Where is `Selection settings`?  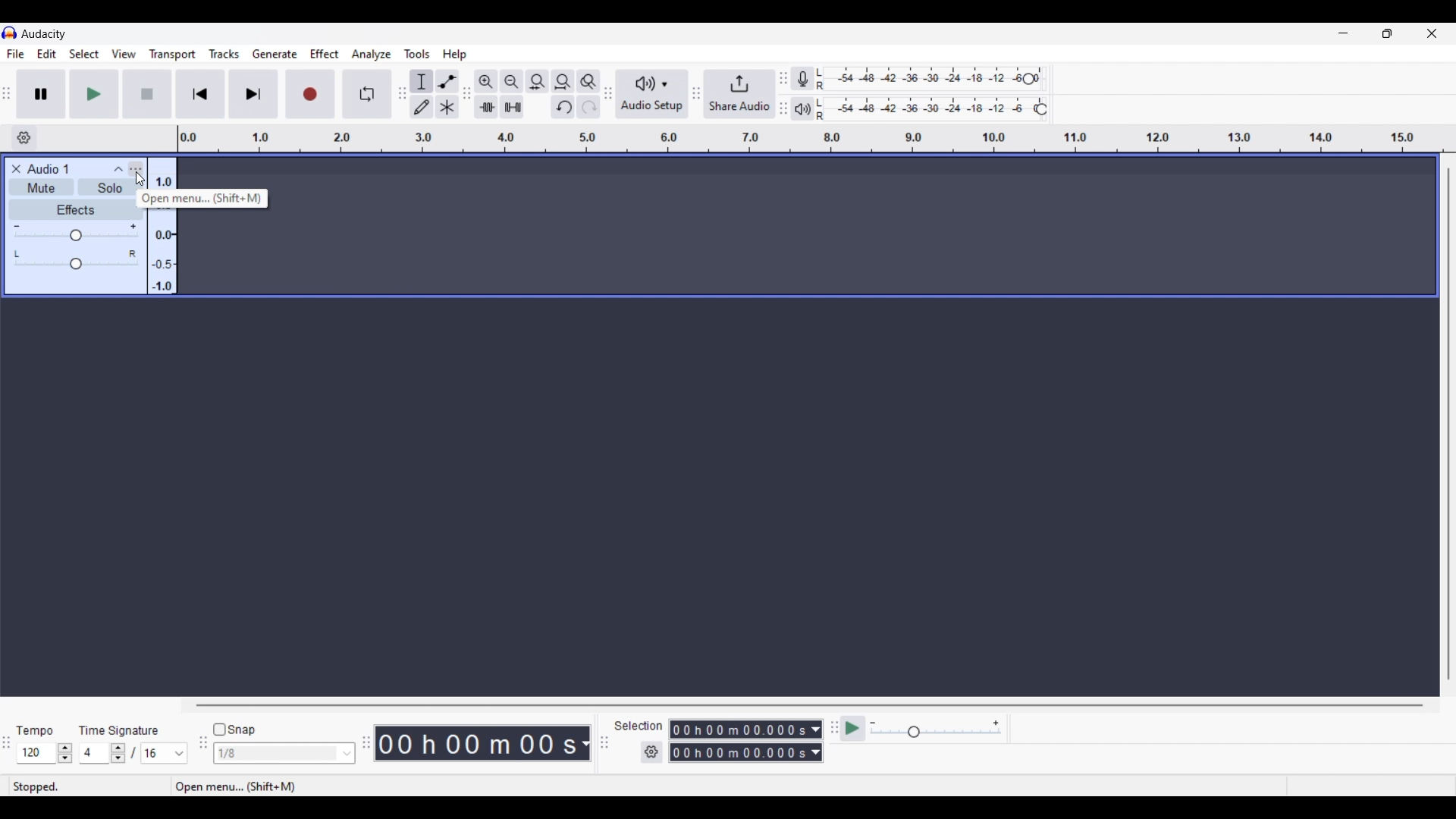 Selection settings is located at coordinates (652, 752).